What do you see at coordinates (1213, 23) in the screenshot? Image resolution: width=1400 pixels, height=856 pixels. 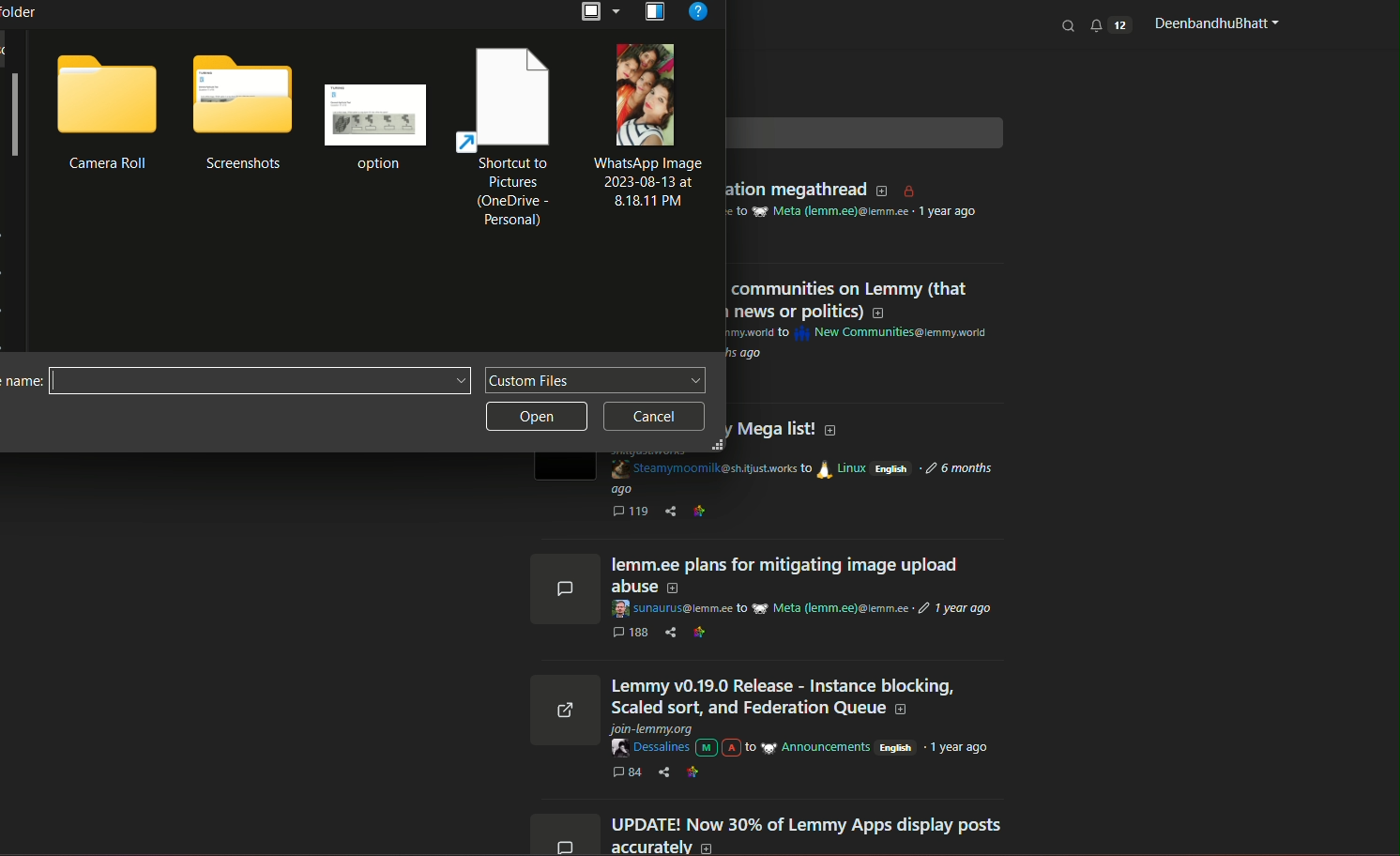 I see `profile name` at bounding box center [1213, 23].